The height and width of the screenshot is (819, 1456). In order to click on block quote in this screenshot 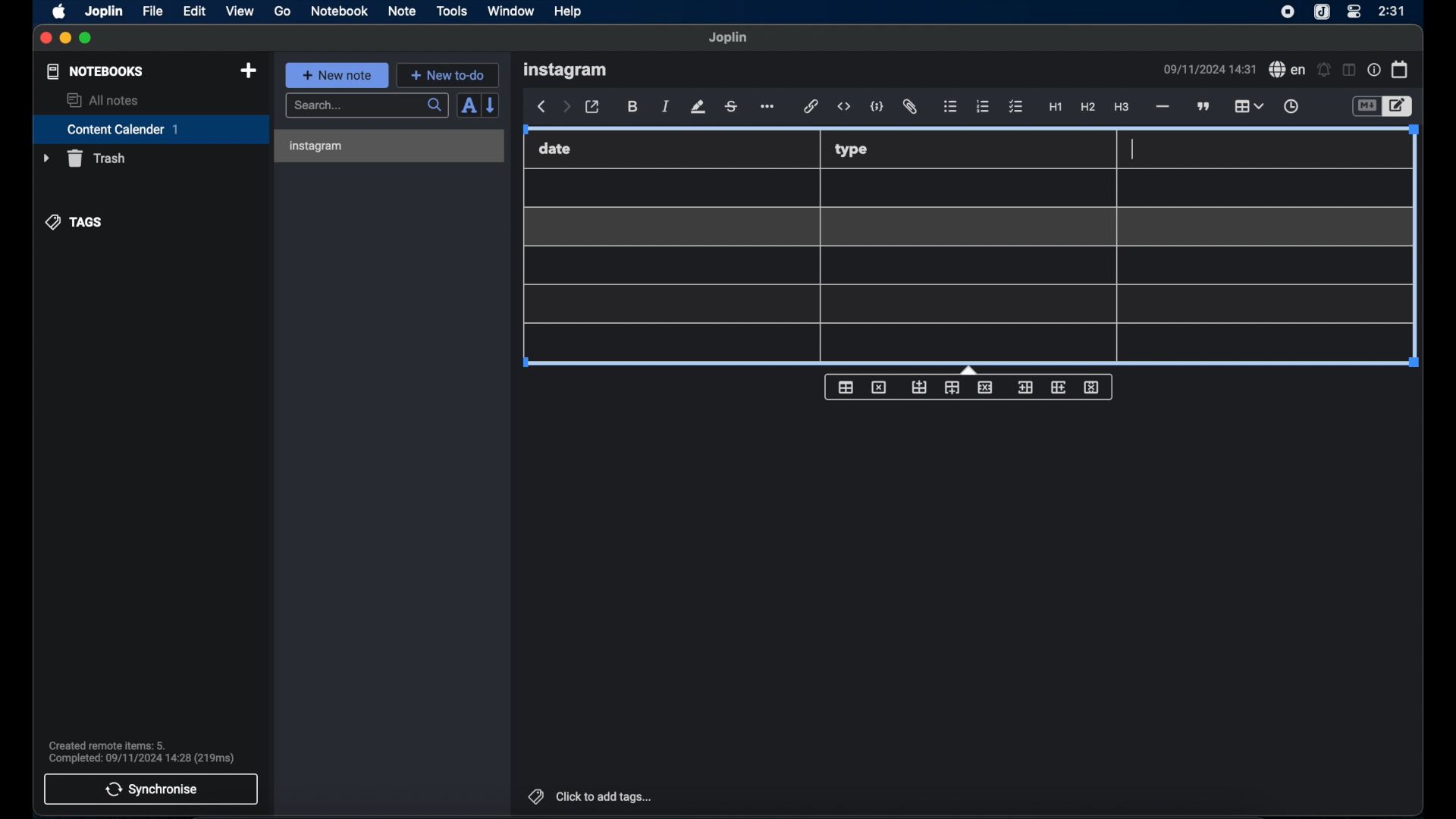, I will do `click(1203, 106)`.